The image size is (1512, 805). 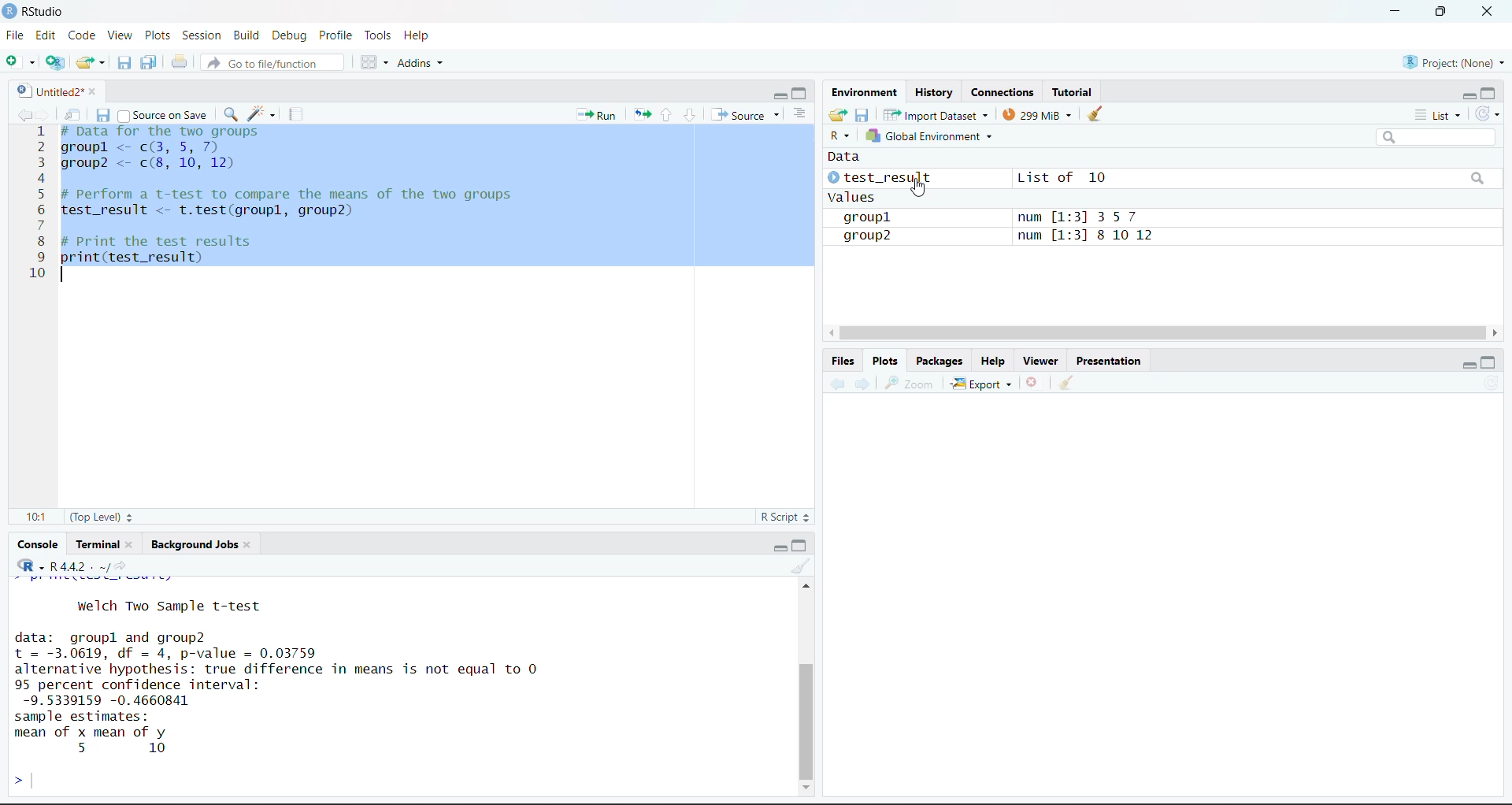 What do you see at coordinates (38, 544) in the screenshot?
I see `Console` at bounding box center [38, 544].